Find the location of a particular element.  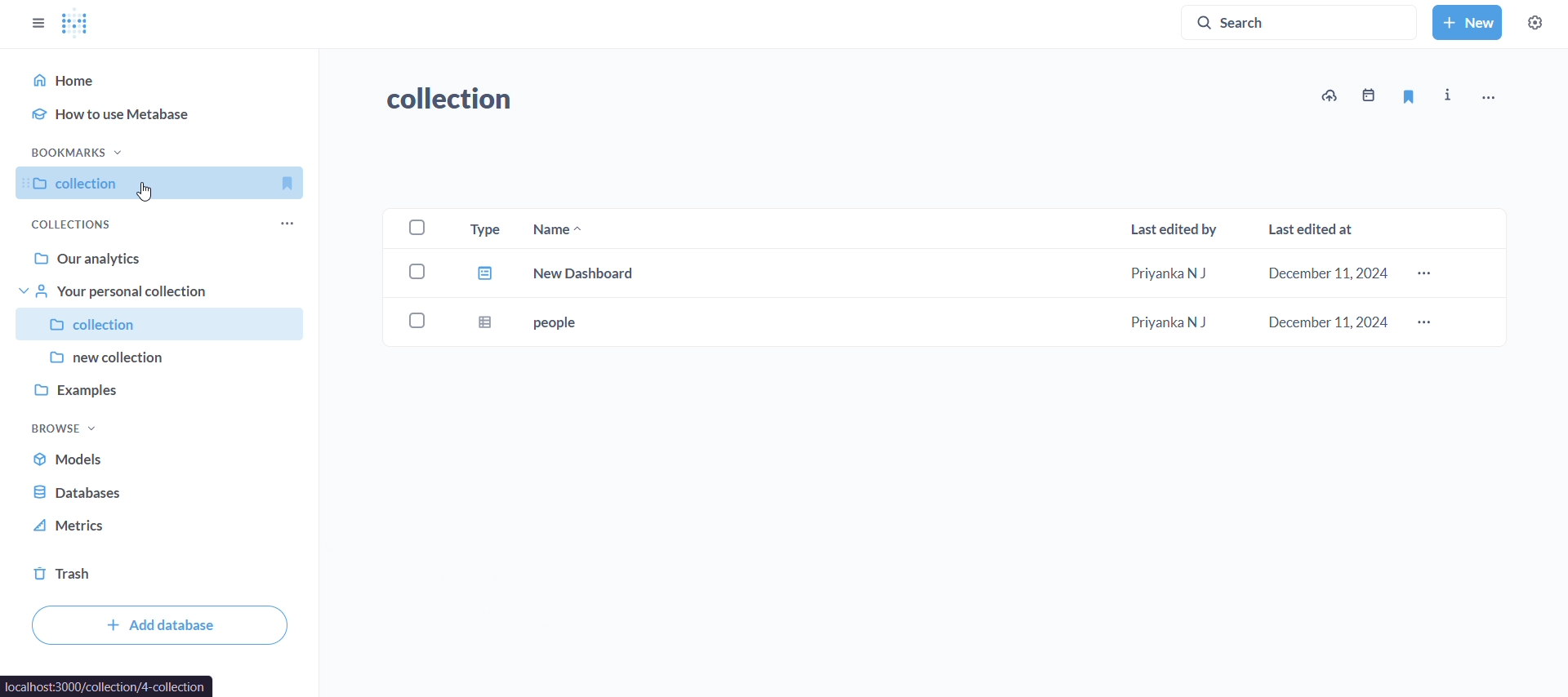

logo is located at coordinates (77, 23).